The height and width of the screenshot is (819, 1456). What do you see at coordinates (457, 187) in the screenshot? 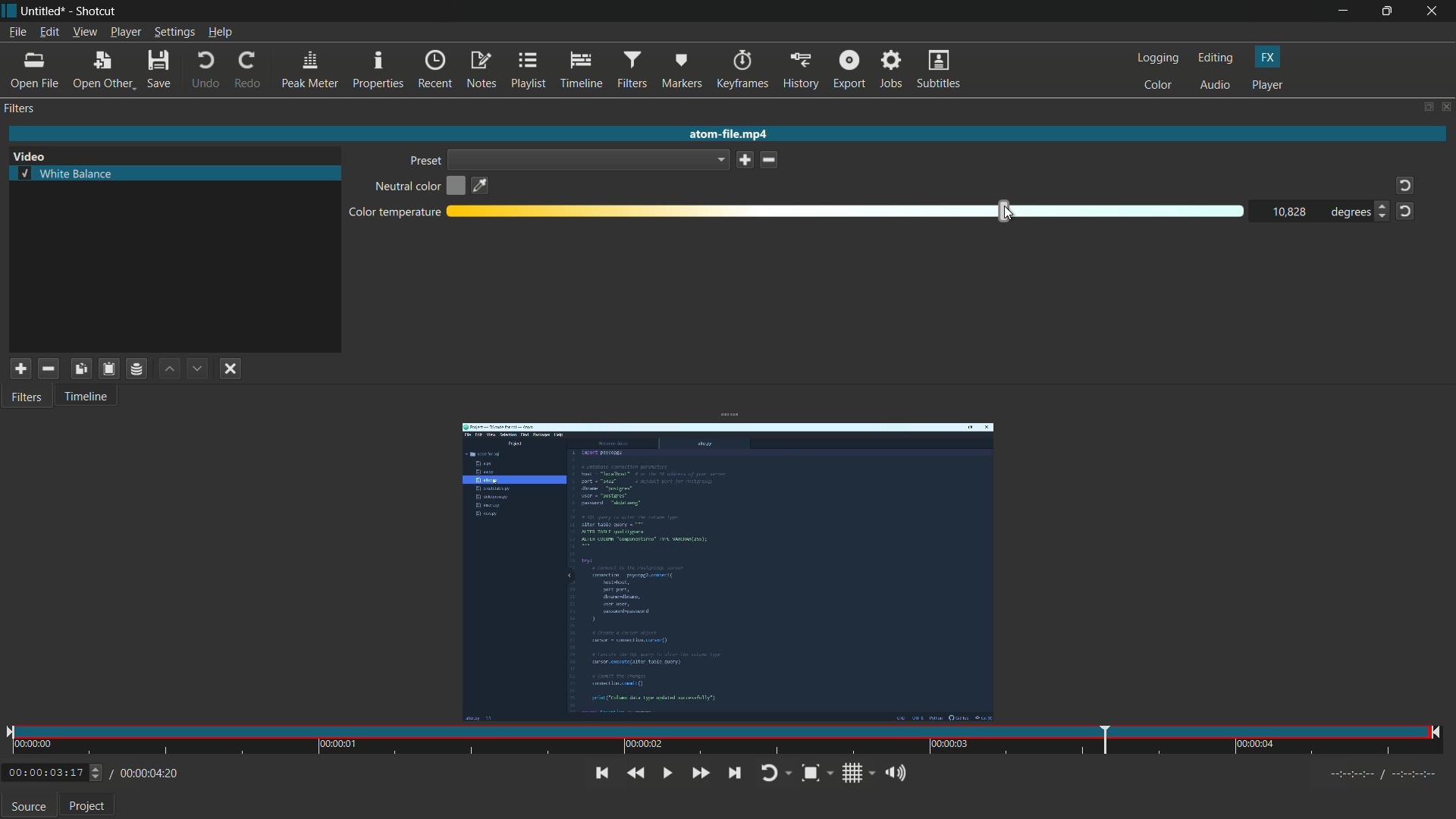
I see `open color dialog` at bounding box center [457, 187].